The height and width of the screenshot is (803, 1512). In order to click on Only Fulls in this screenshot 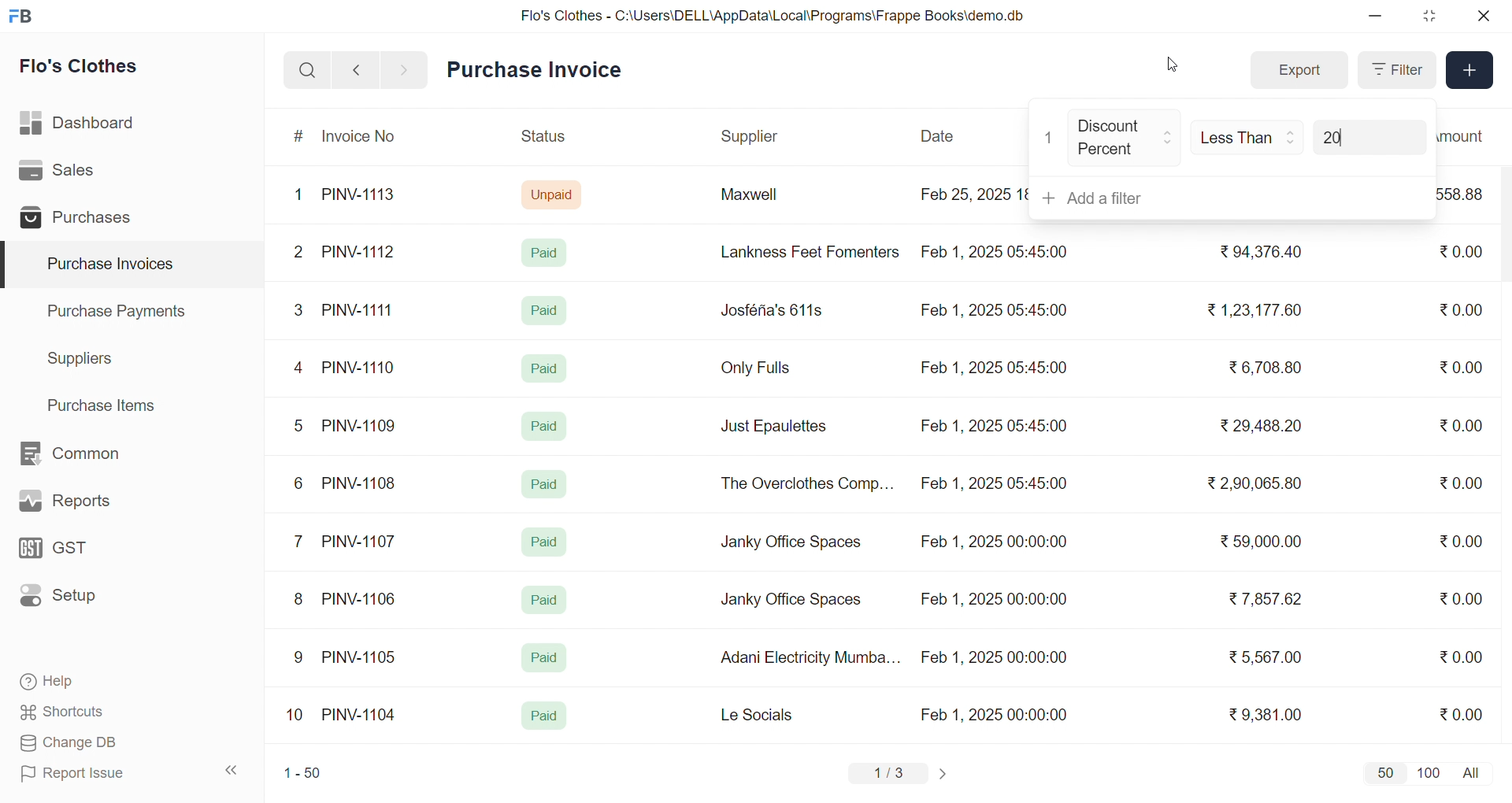, I will do `click(762, 372)`.